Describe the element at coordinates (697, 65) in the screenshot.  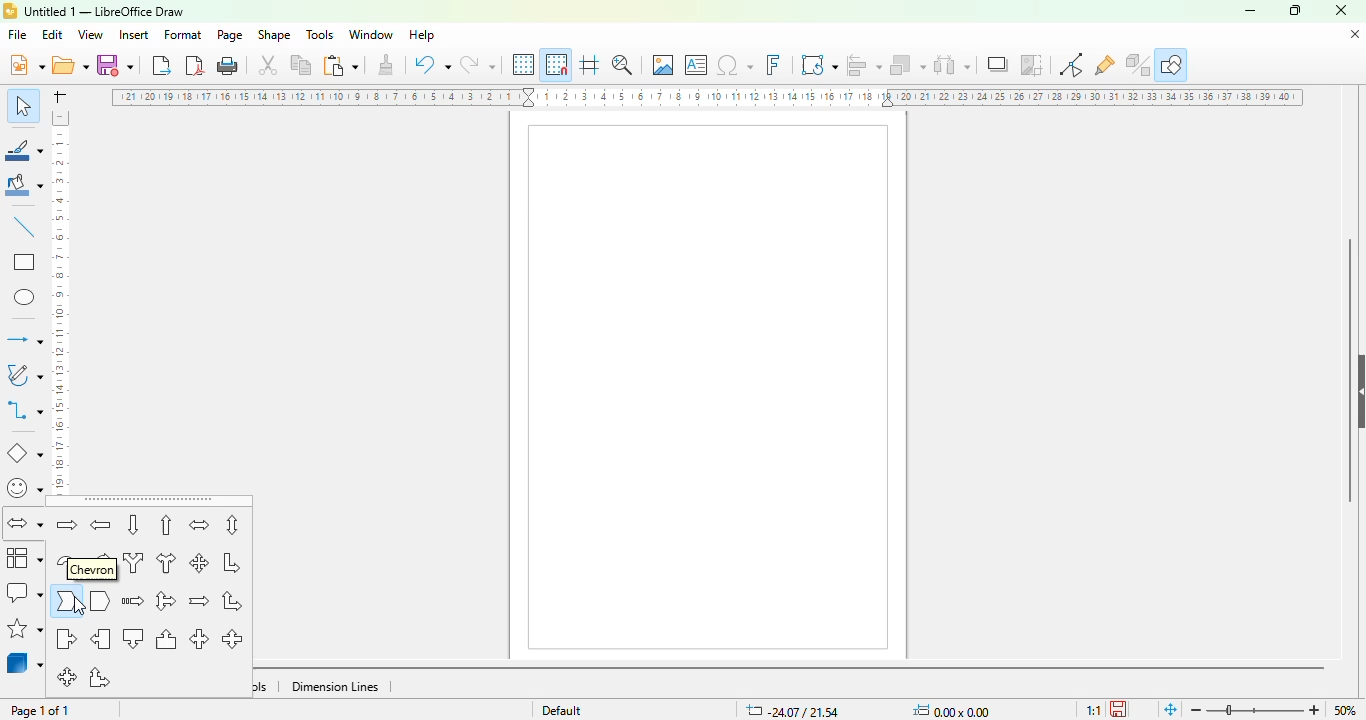
I see `insert text box` at that location.